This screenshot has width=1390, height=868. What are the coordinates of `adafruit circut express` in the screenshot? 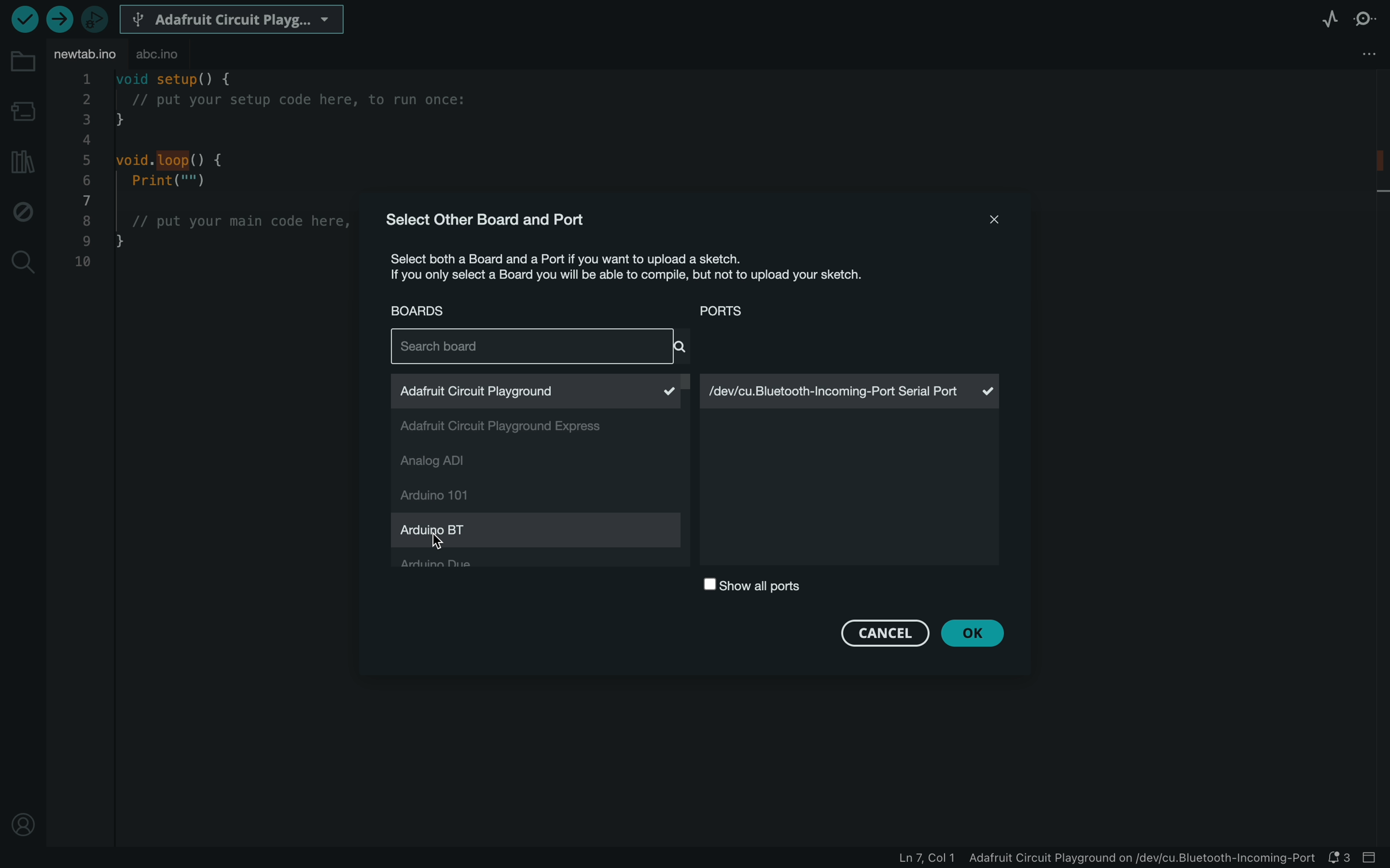 It's located at (513, 429).